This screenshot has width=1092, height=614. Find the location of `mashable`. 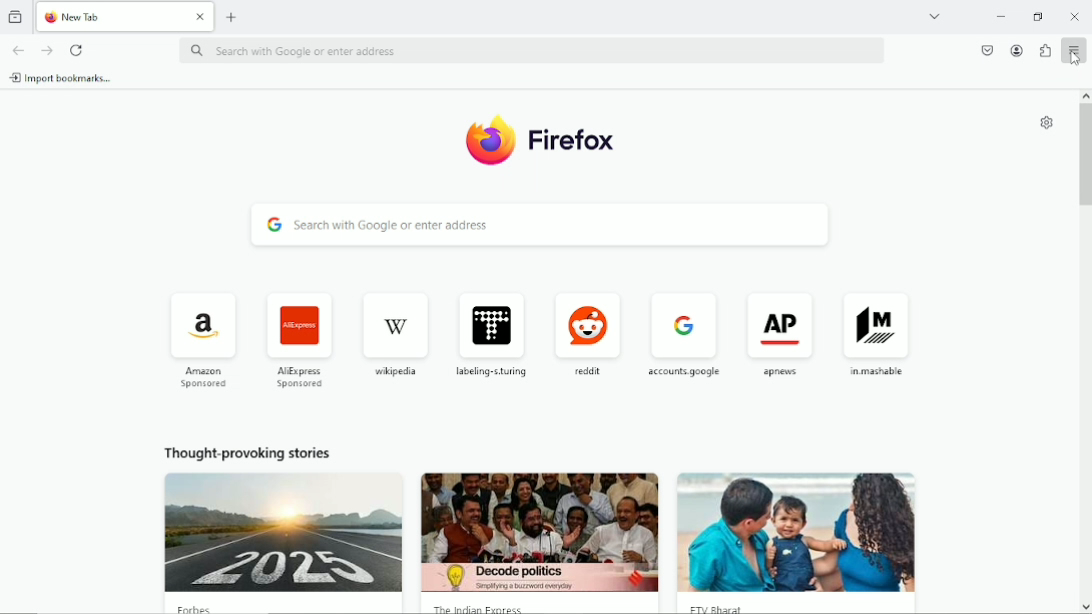

mashable is located at coordinates (877, 333).